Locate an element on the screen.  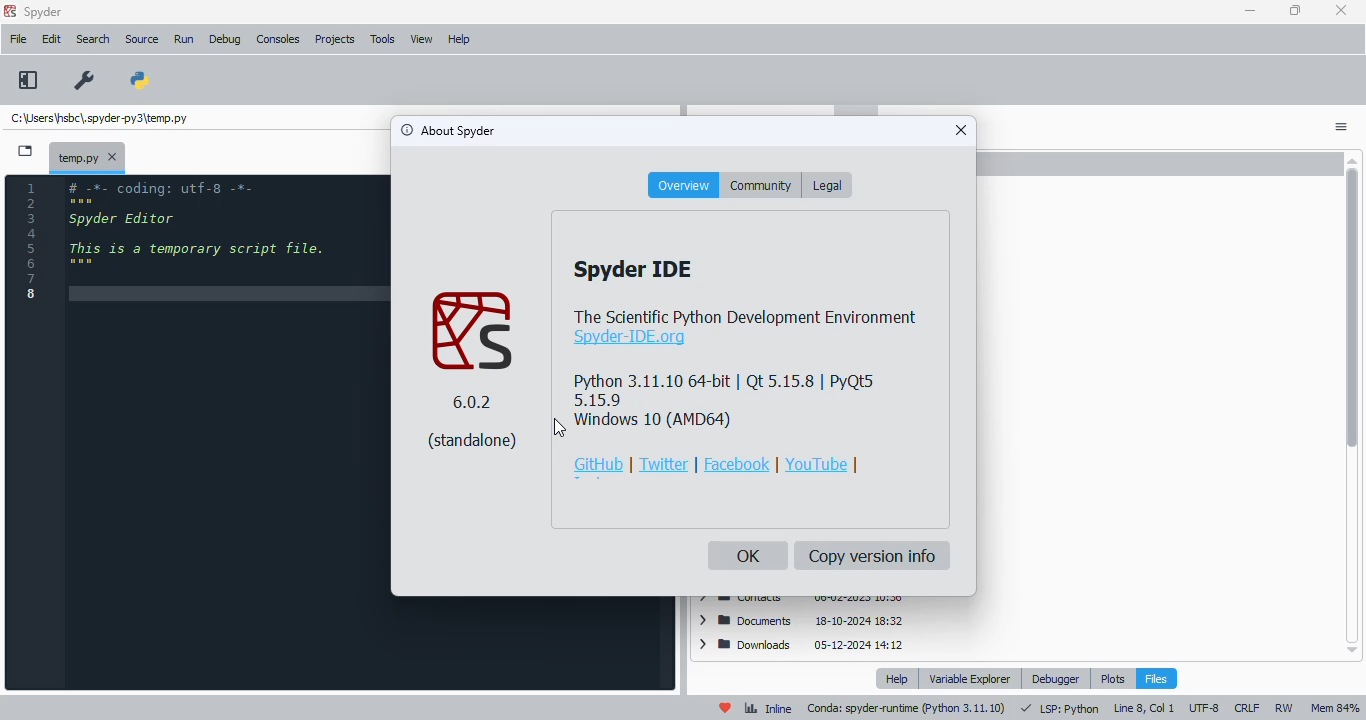
temporary file is located at coordinates (88, 156).